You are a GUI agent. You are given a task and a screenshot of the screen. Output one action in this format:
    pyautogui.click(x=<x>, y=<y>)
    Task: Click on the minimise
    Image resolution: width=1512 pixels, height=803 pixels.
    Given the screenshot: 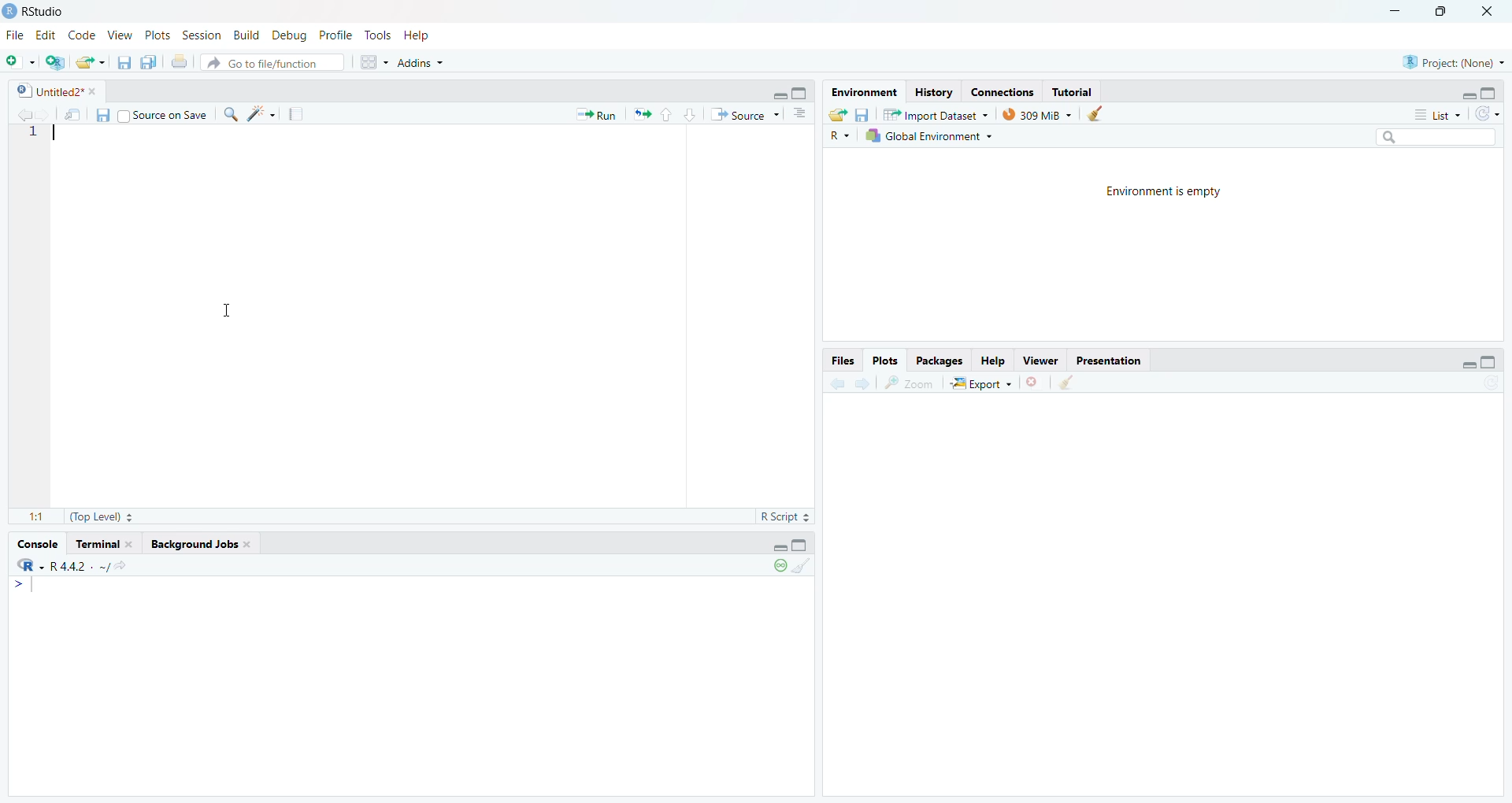 What is the action you would take?
    pyautogui.click(x=1463, y=93)
    